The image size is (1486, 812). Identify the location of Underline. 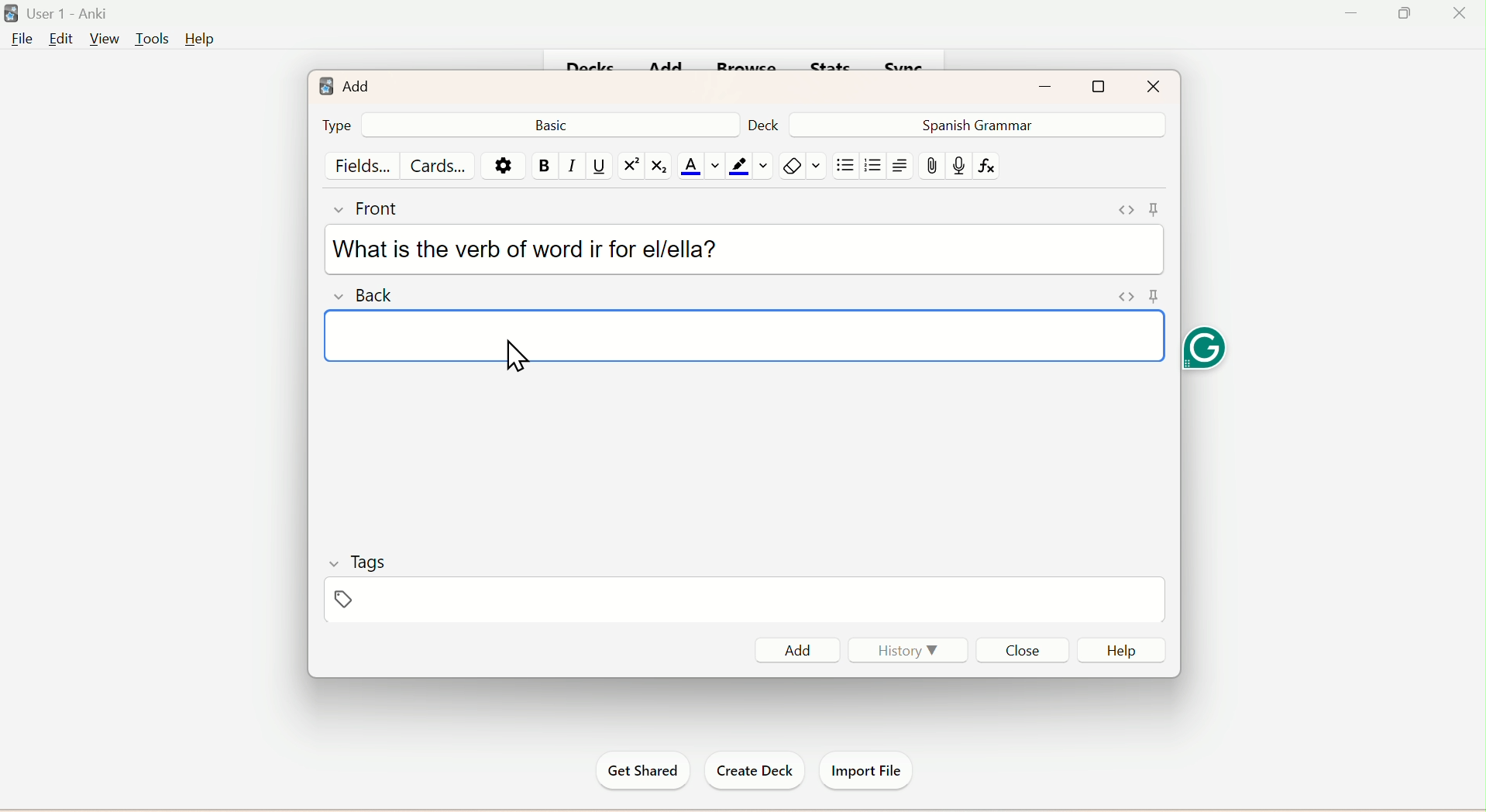
(600, 167).